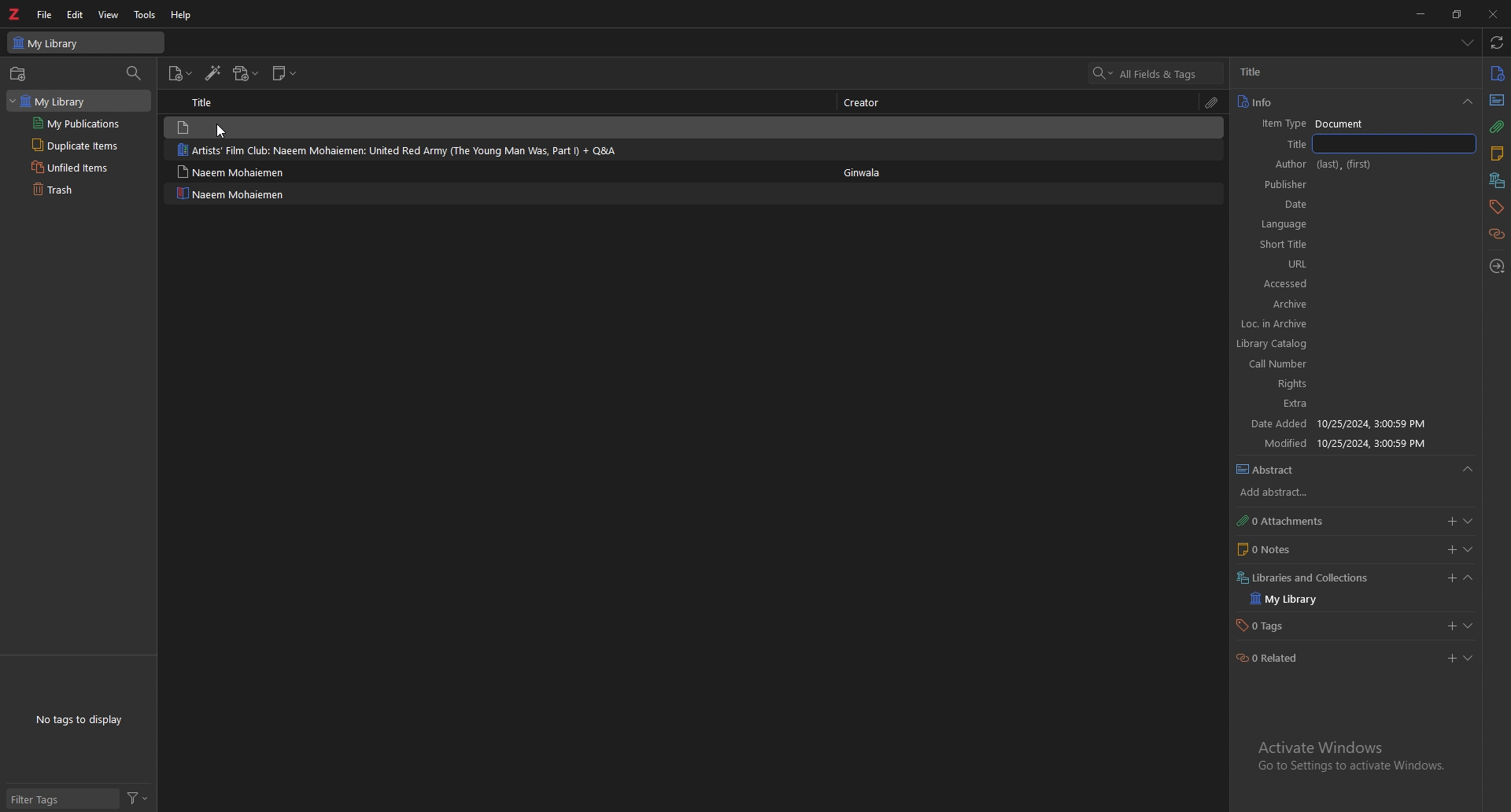 The height and width of the screenshot is (812, 1511). What do you see at coordinates (1498, 72) in the screenshot?
I see `info` at bounding box center [1498, 72].